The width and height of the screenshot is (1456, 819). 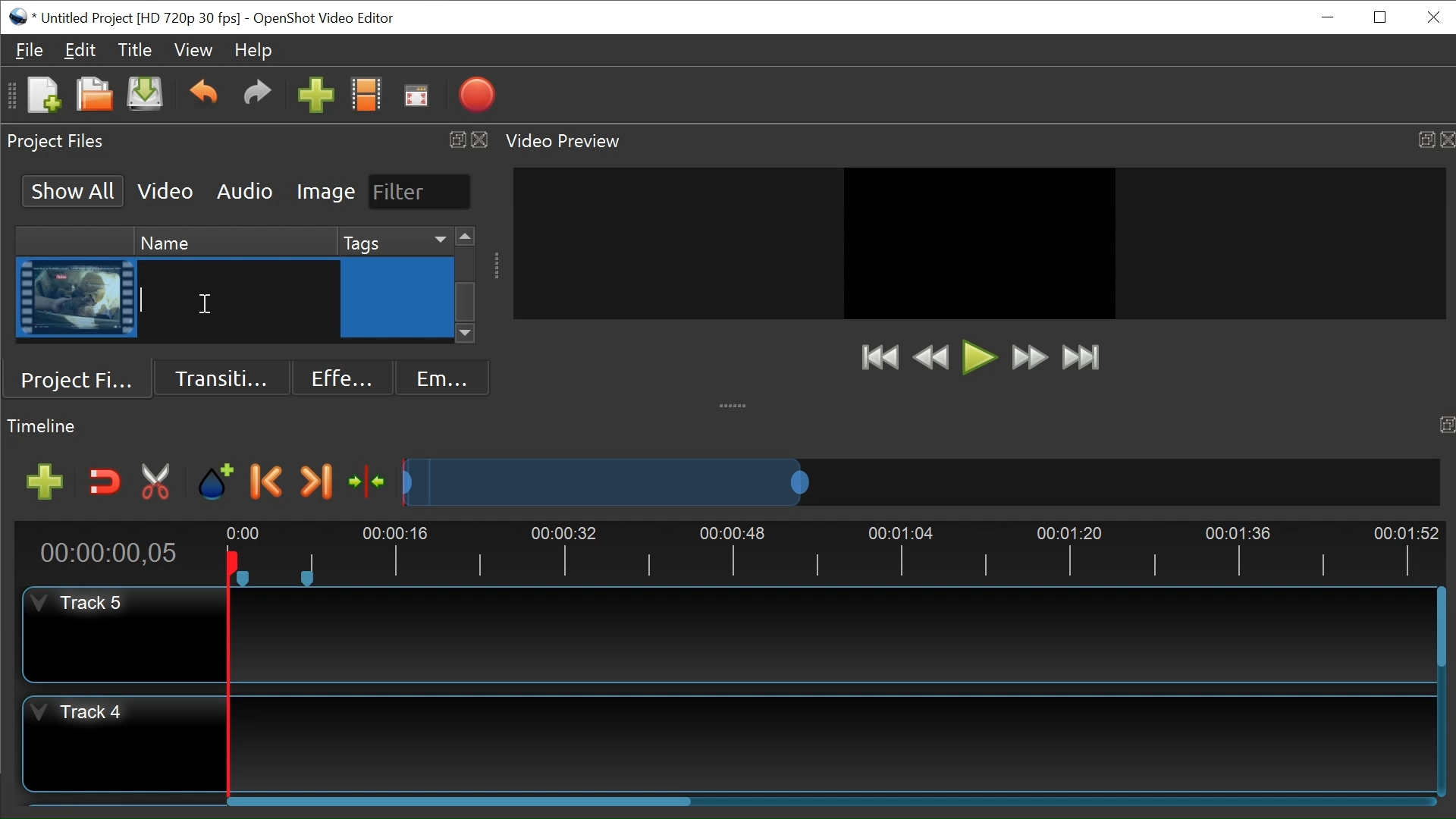 What do you see at coordinates (194, 50) in the screenshot?
I see `View` at bounding box center [194, 50].